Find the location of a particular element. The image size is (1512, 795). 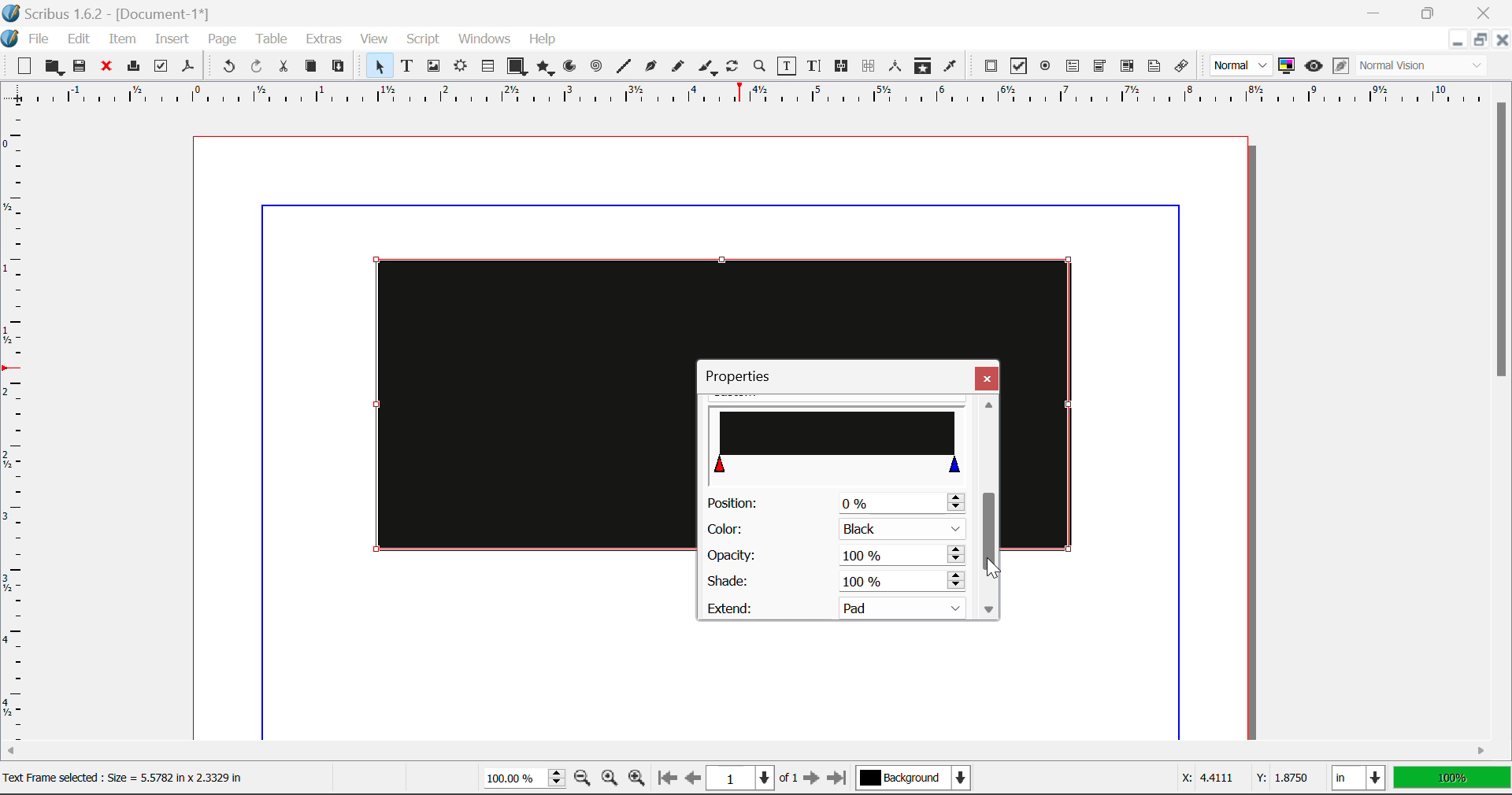

Save as Pdf is located at coordinates (188, 68).